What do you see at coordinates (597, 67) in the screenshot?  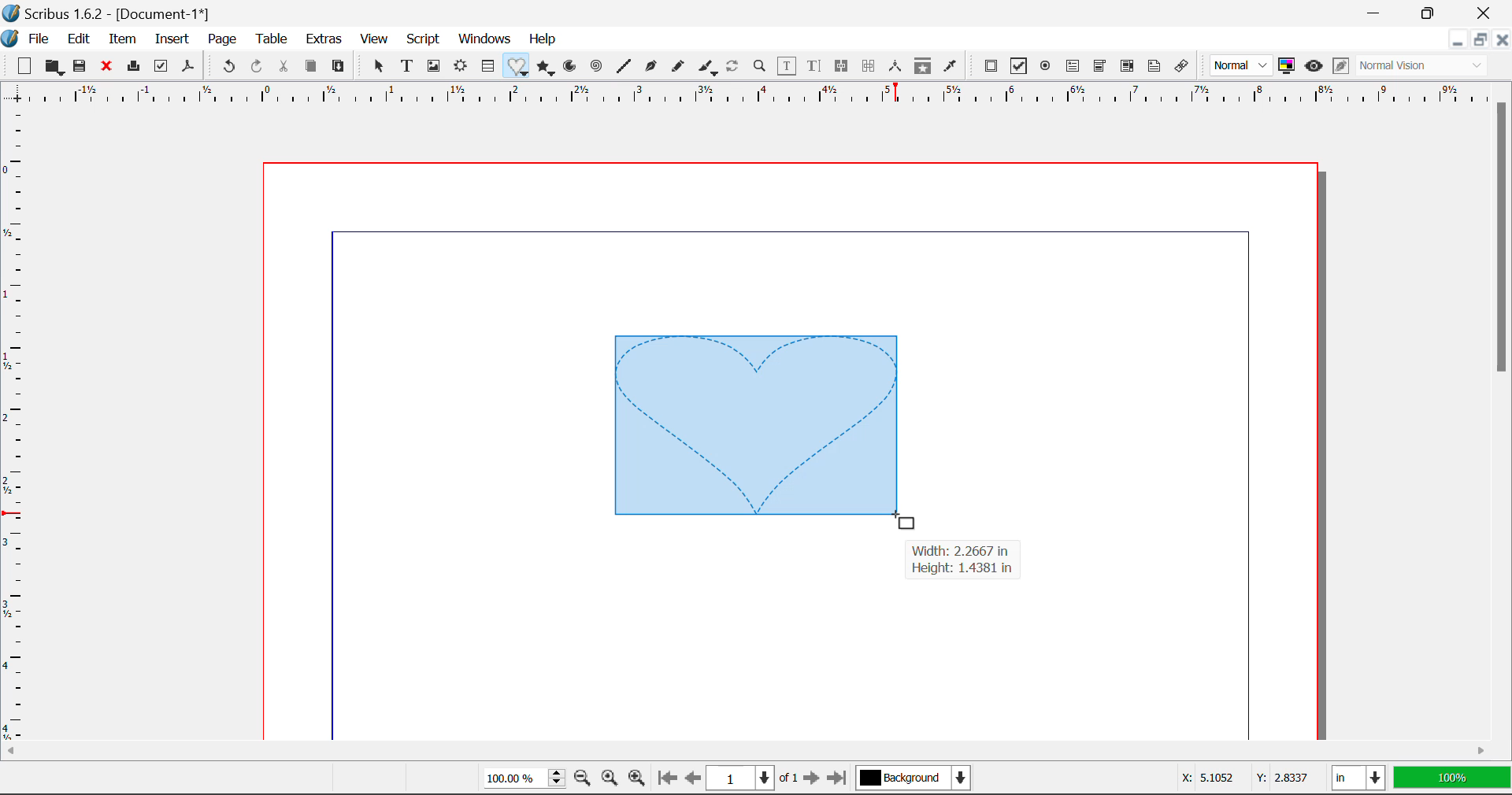 I see `Spiral` at bounding box center [597, 67].